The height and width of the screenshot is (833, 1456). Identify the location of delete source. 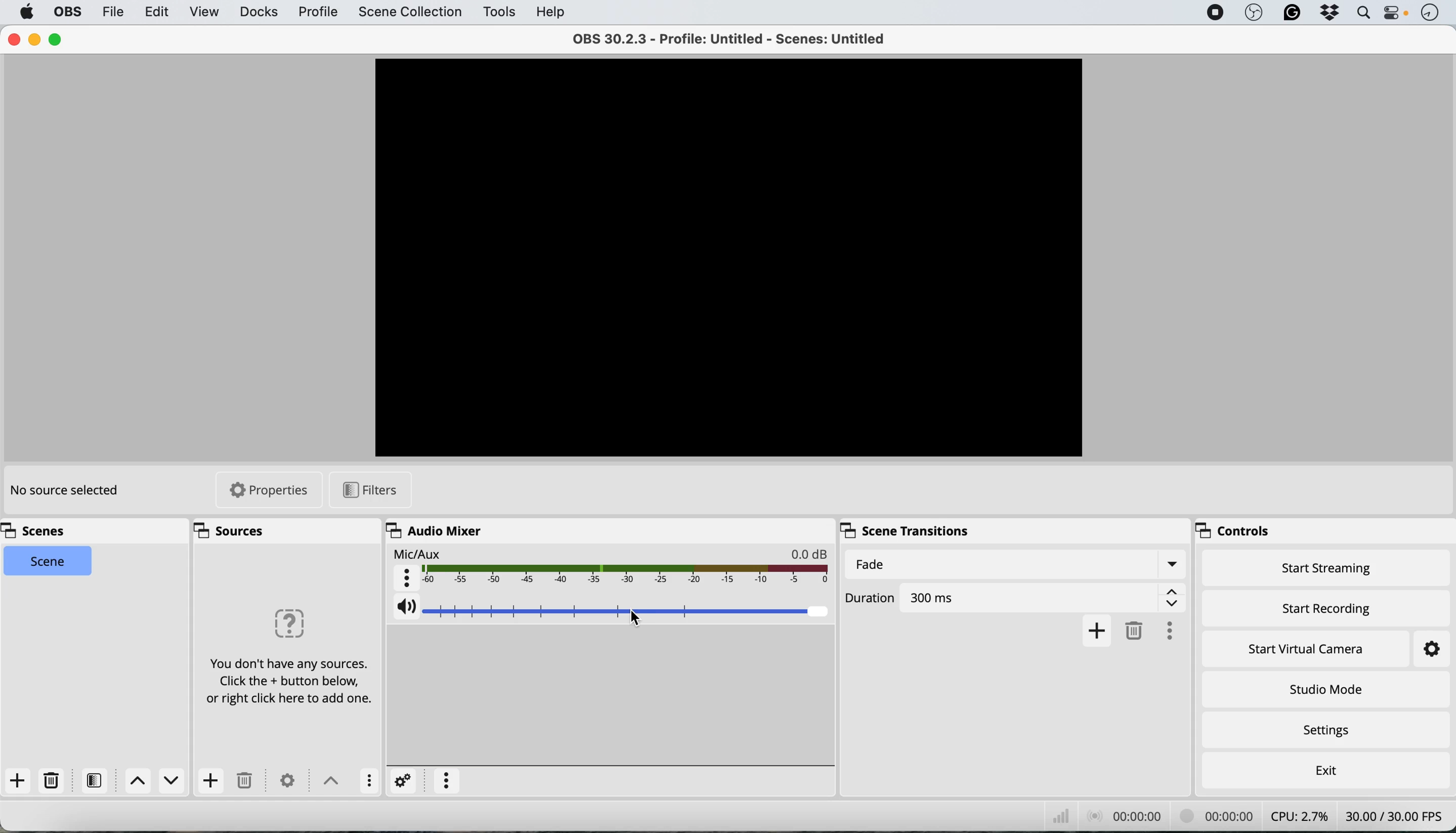
(51, 779).